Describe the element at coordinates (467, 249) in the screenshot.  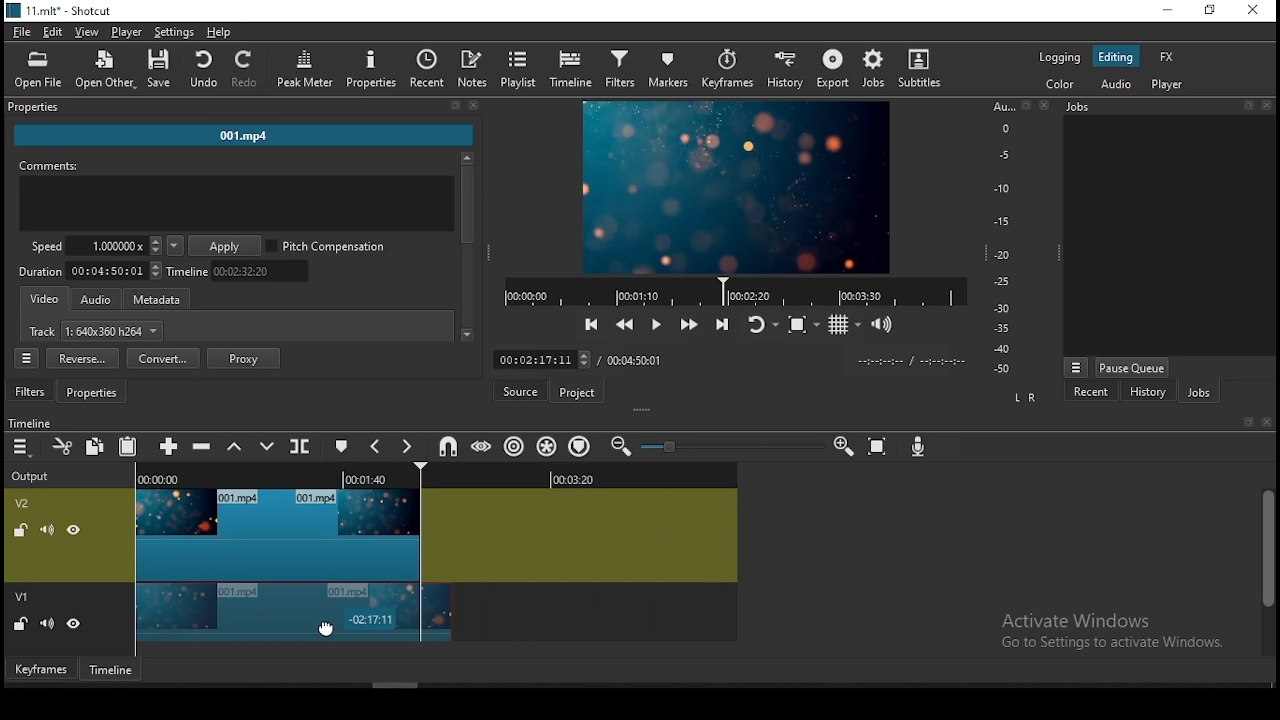
I see `SCROLLBAR` at that location.